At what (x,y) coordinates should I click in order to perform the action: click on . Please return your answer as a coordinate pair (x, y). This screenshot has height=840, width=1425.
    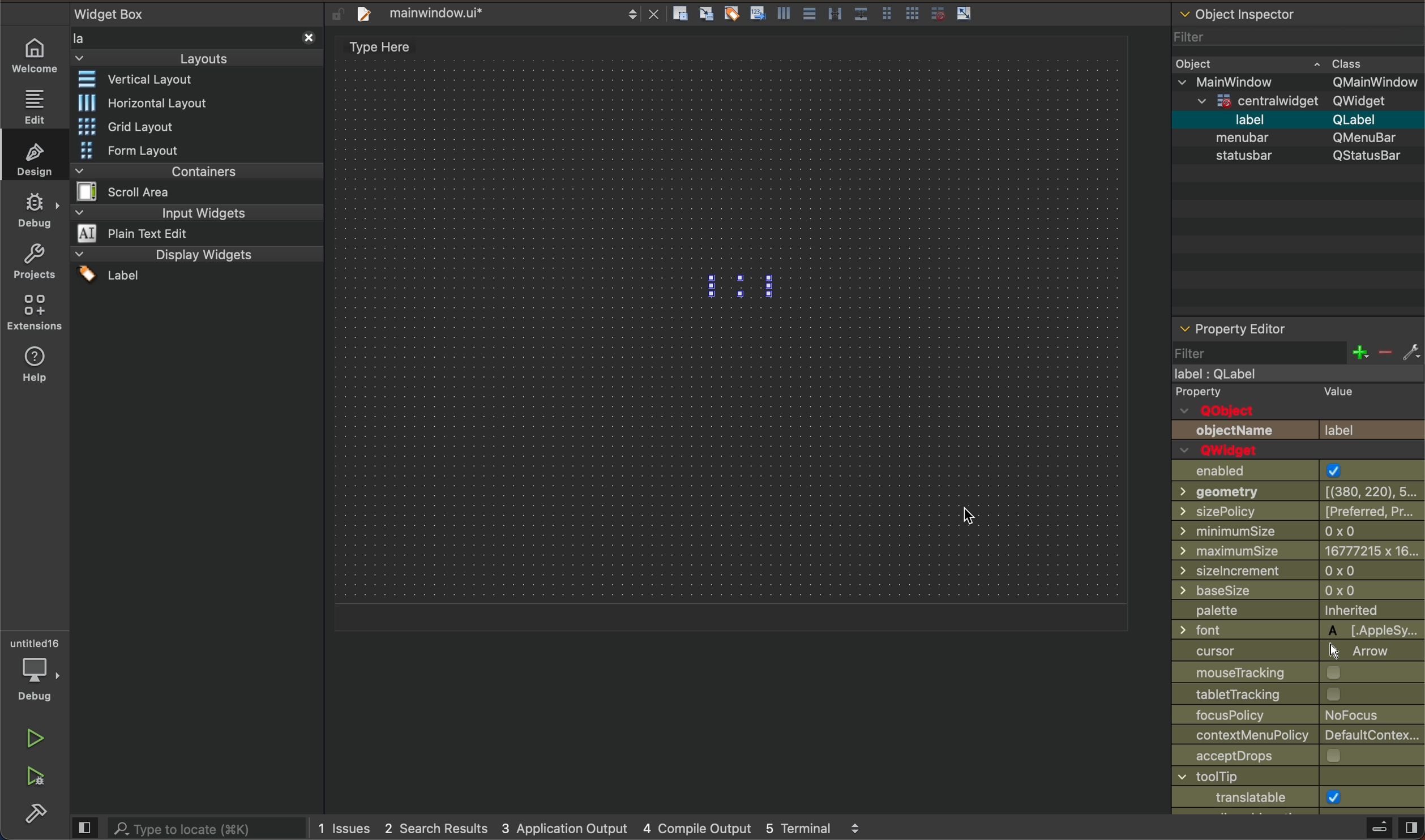
    Looking at the image, I should click on (1296, 629).